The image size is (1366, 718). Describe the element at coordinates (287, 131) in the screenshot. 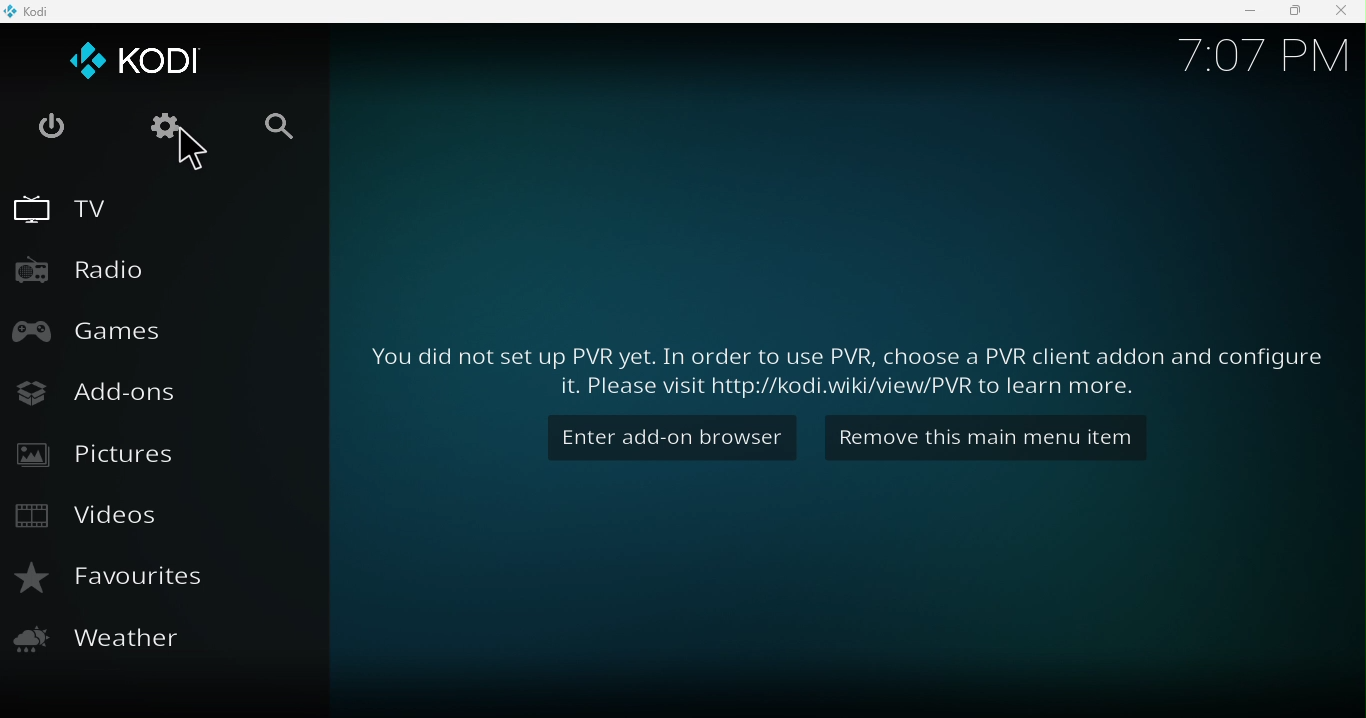

I see `Search` at that location.